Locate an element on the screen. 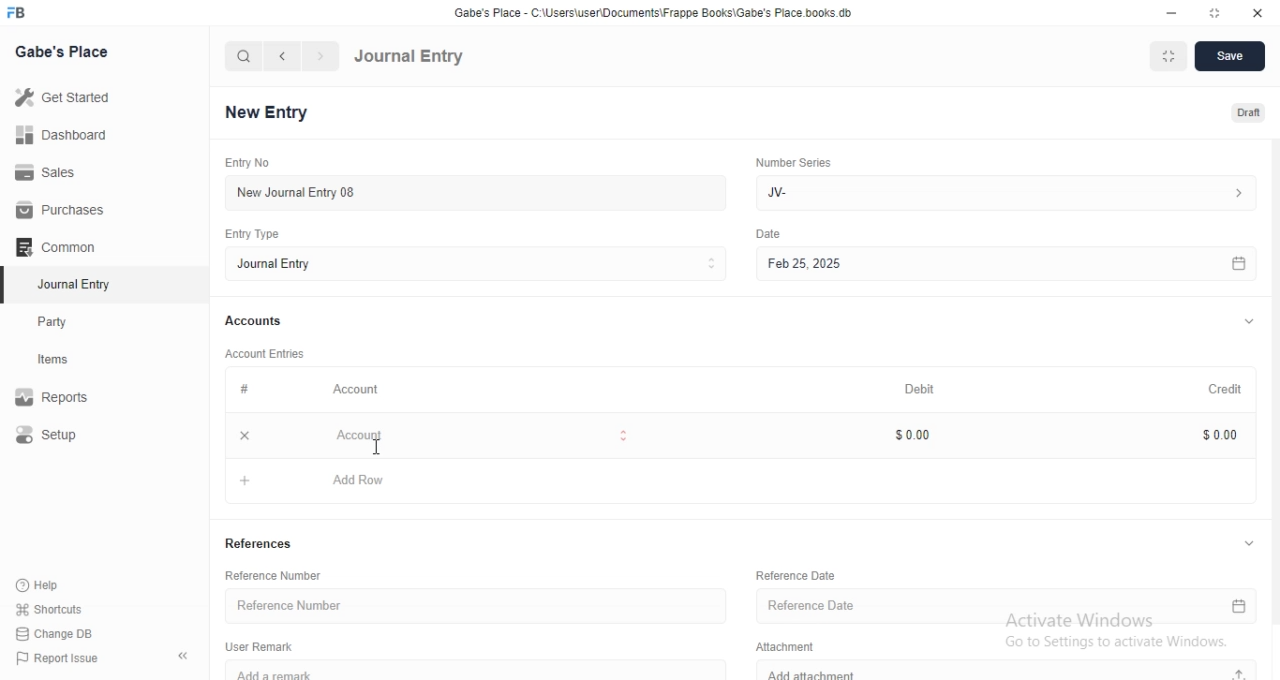  Gabe's Place is located at coordinates (61, 52).